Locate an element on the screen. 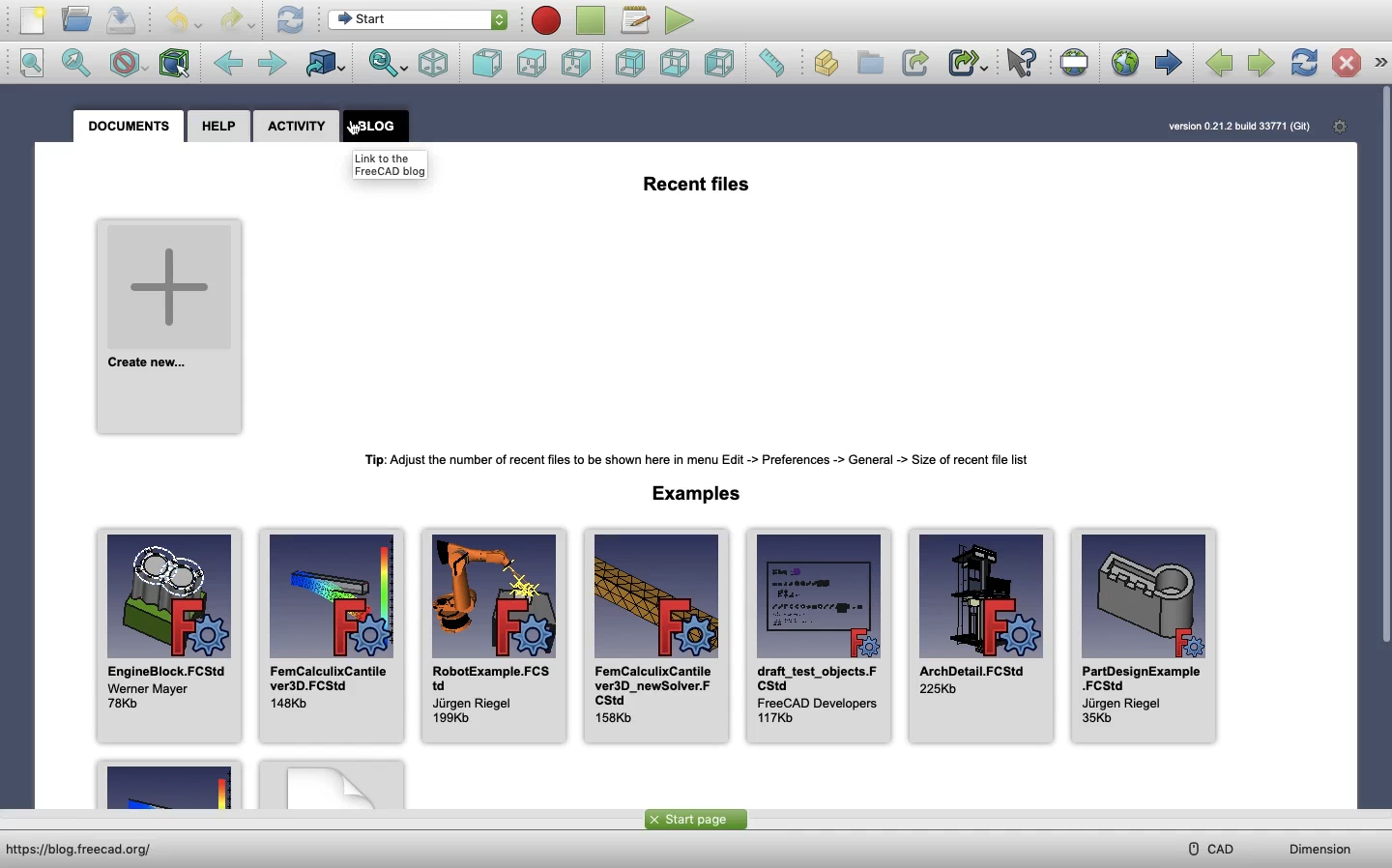  Blog is located at coordinates (375, 126).